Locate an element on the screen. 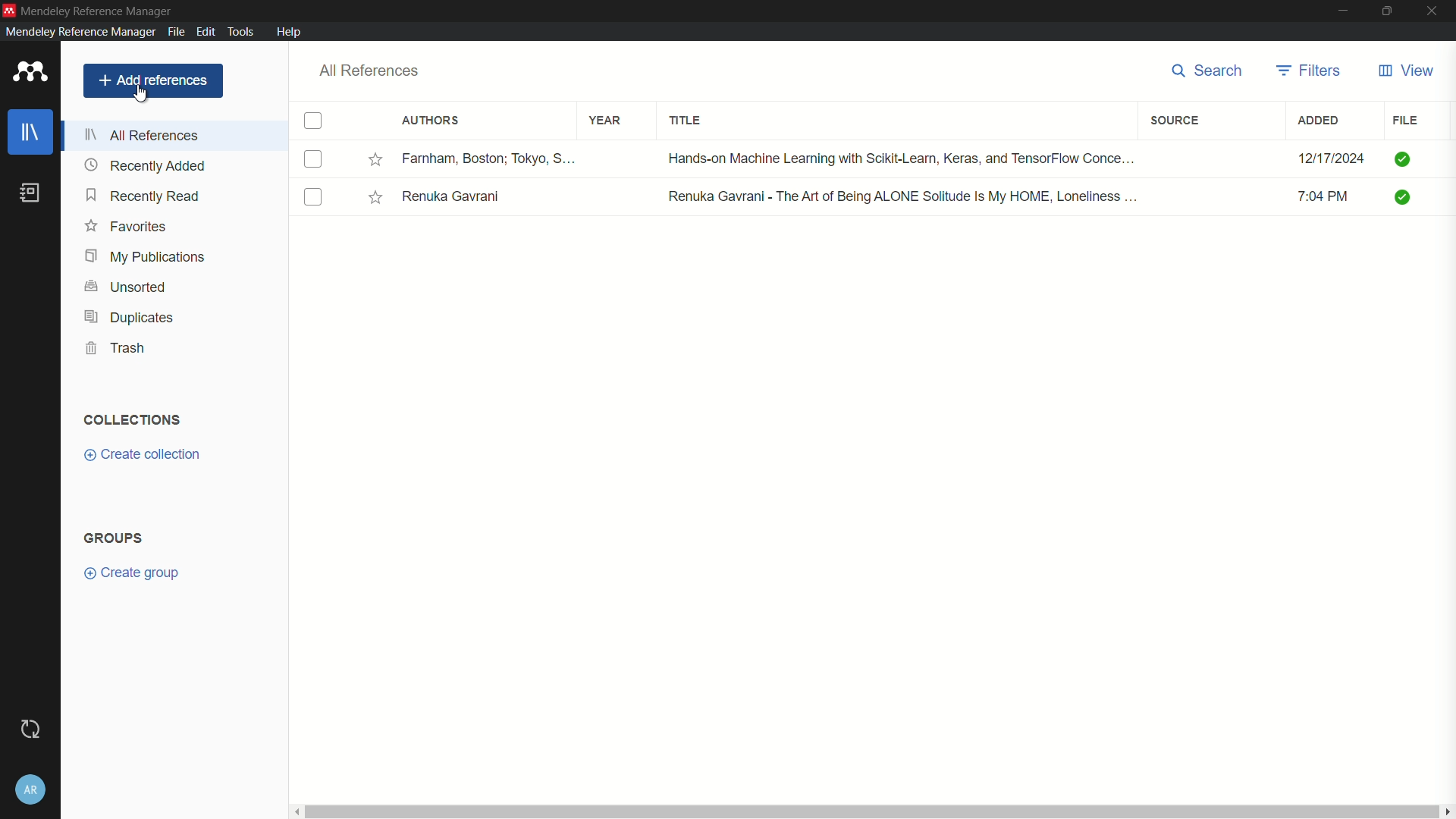 The height and width of the screenshot is (819, 1456). mendeley reference manager is located at coordinates (79, 32).